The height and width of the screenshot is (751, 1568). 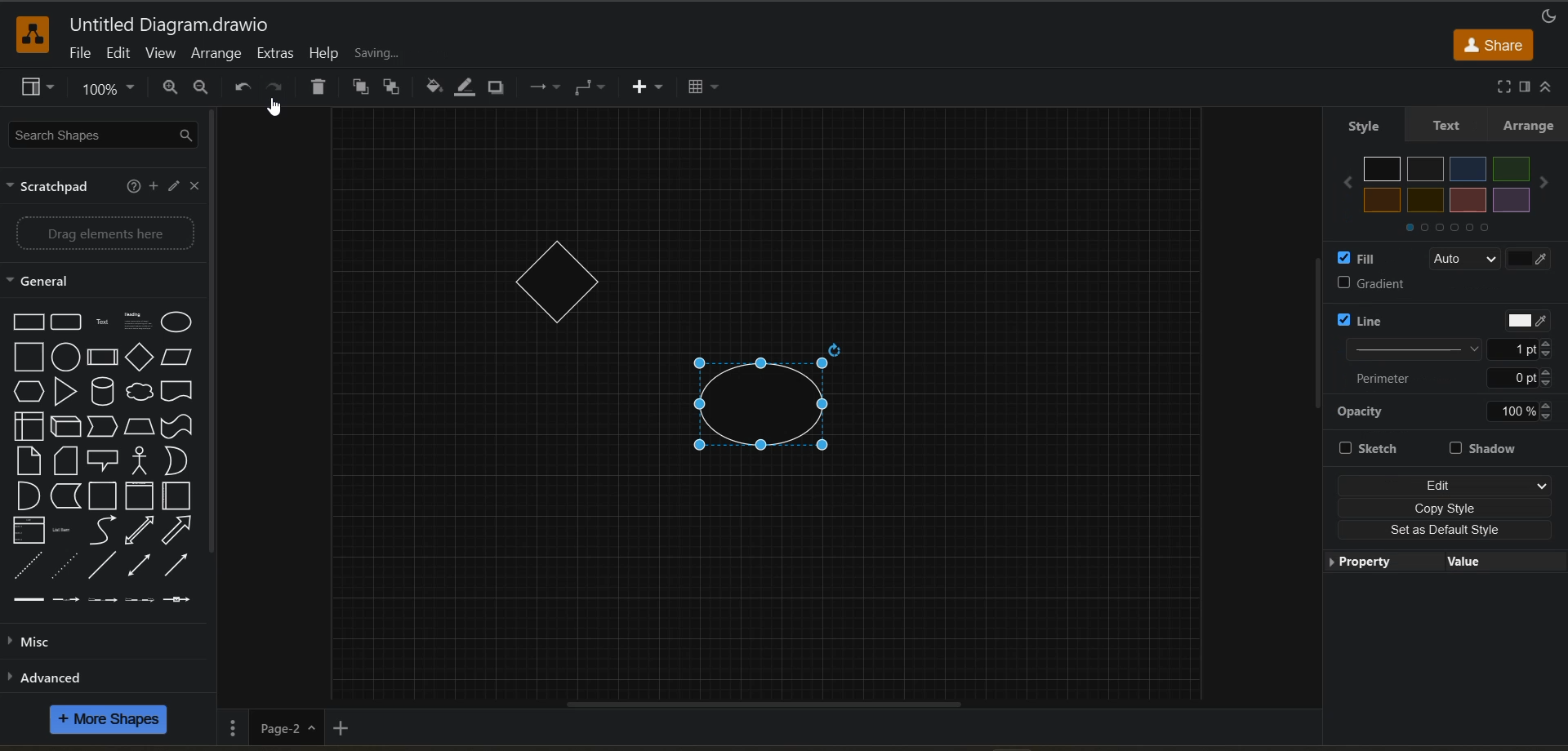 I want to click on gradient, so click(x=1409, y=282).